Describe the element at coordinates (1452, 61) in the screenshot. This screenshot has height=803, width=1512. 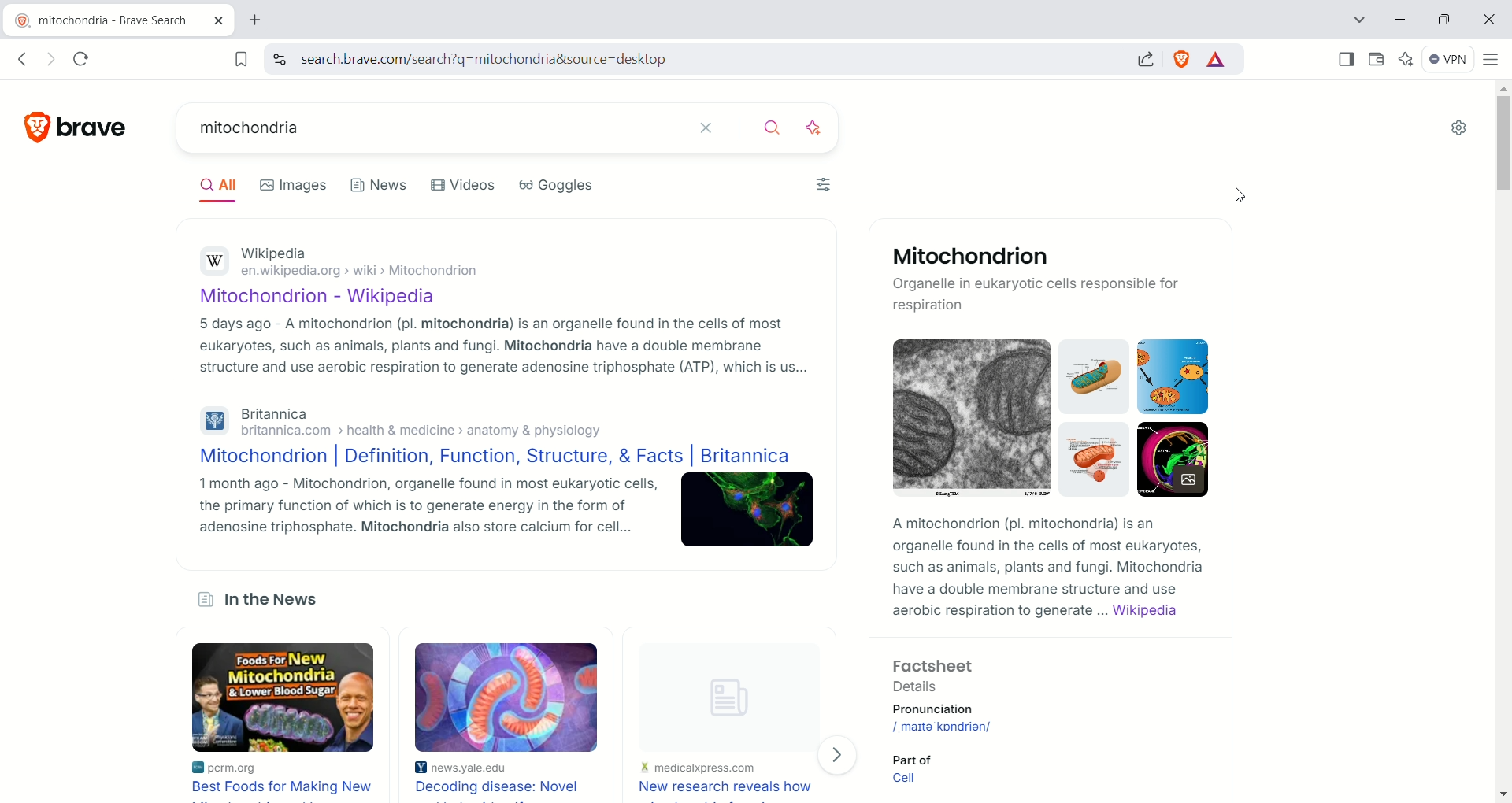
I see `VPN` at that location.